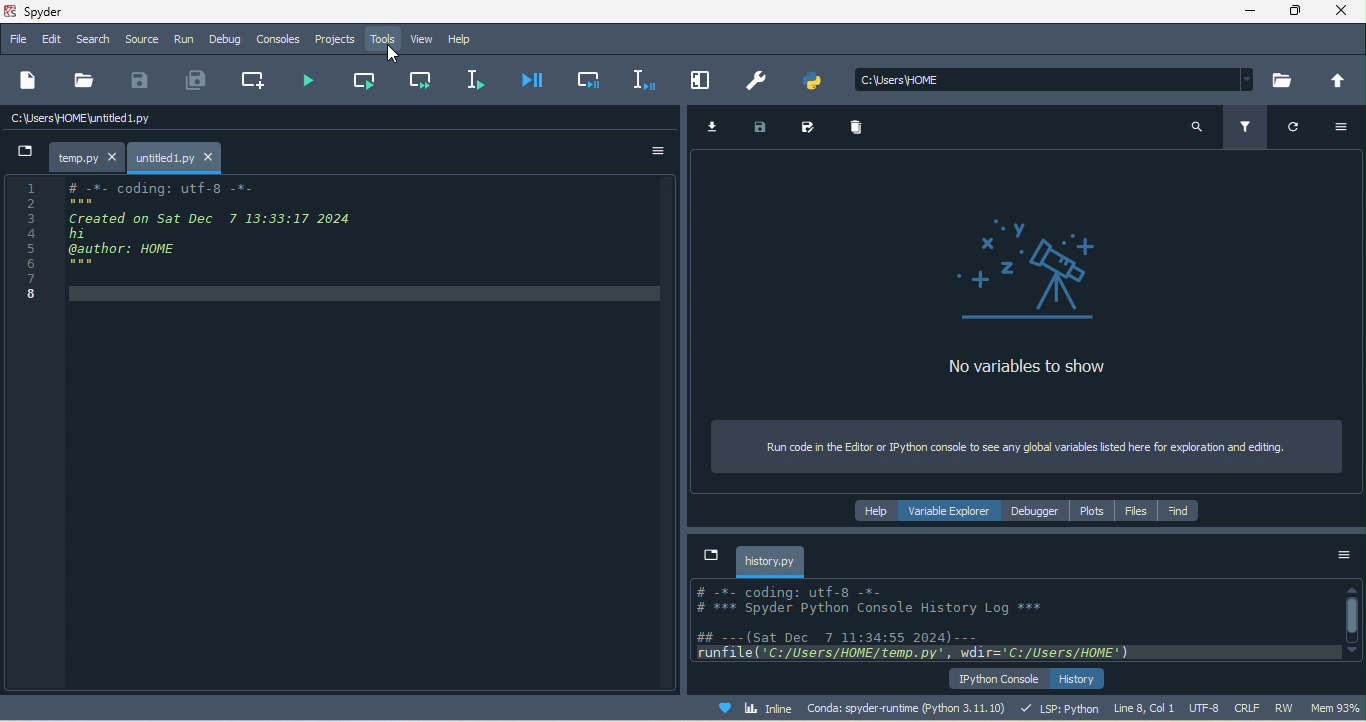 This screenshot has height=722, width=1366. Describe the element at coordinates (1255, 13) in the screenshot. I see `minimize` at that location.